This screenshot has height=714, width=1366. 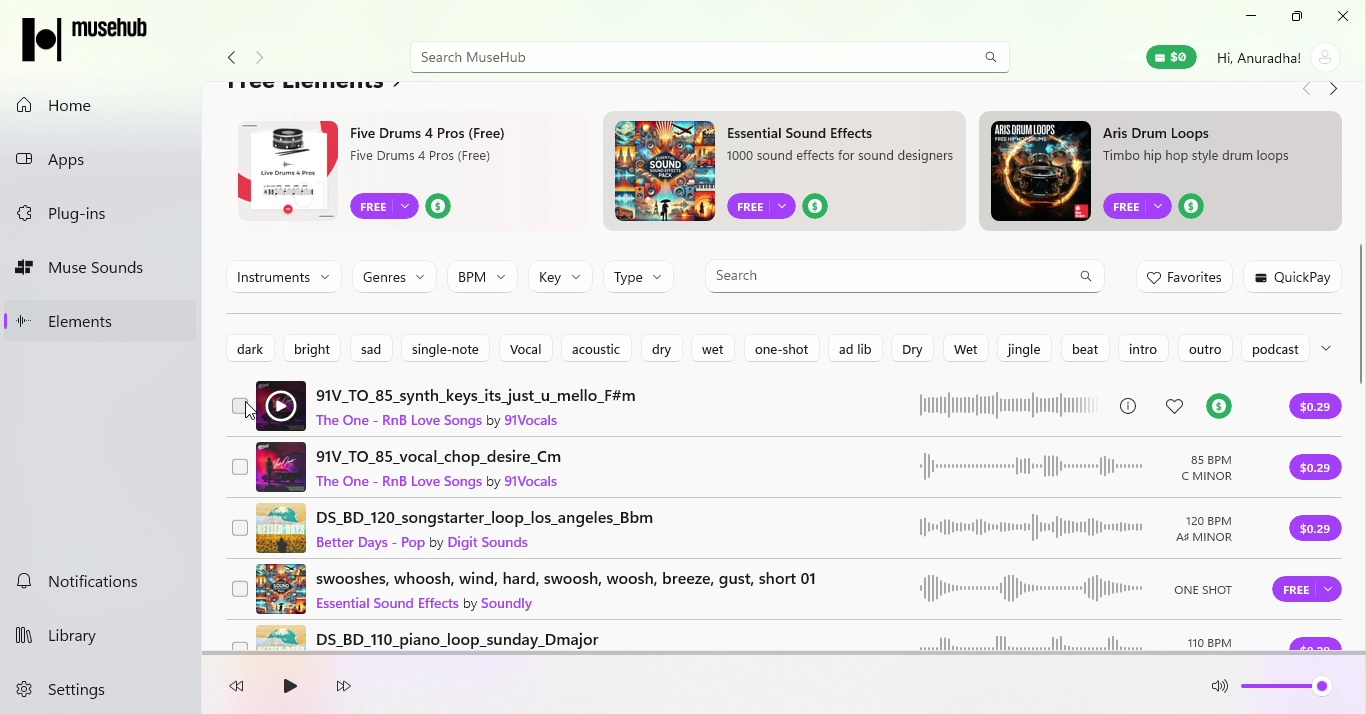 What do you see at coordinates (904, 276) in the screenshot?
I see `Search bar` at bounding box center [904, 276].